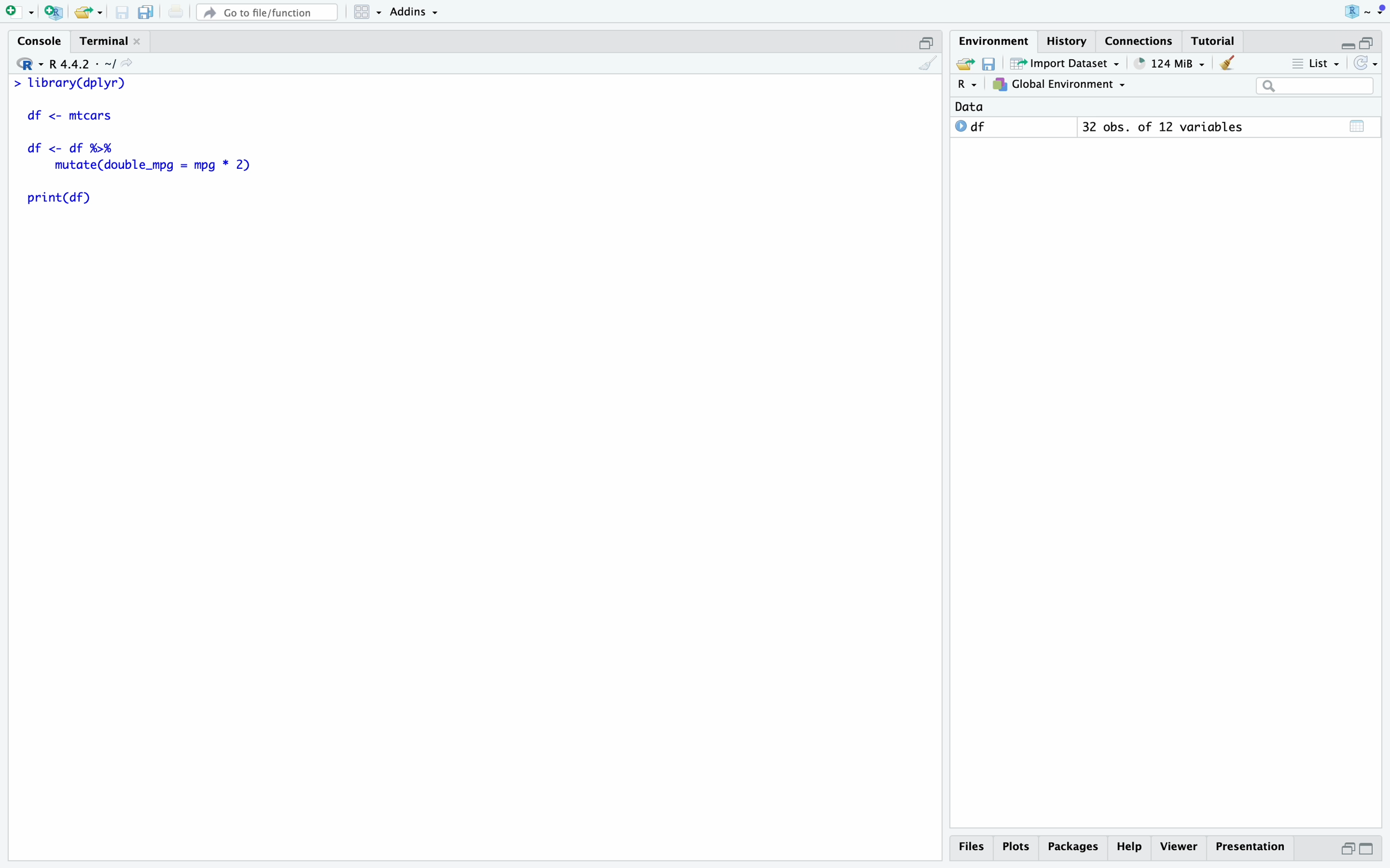  I want to click on Environment , so click(995, 41).